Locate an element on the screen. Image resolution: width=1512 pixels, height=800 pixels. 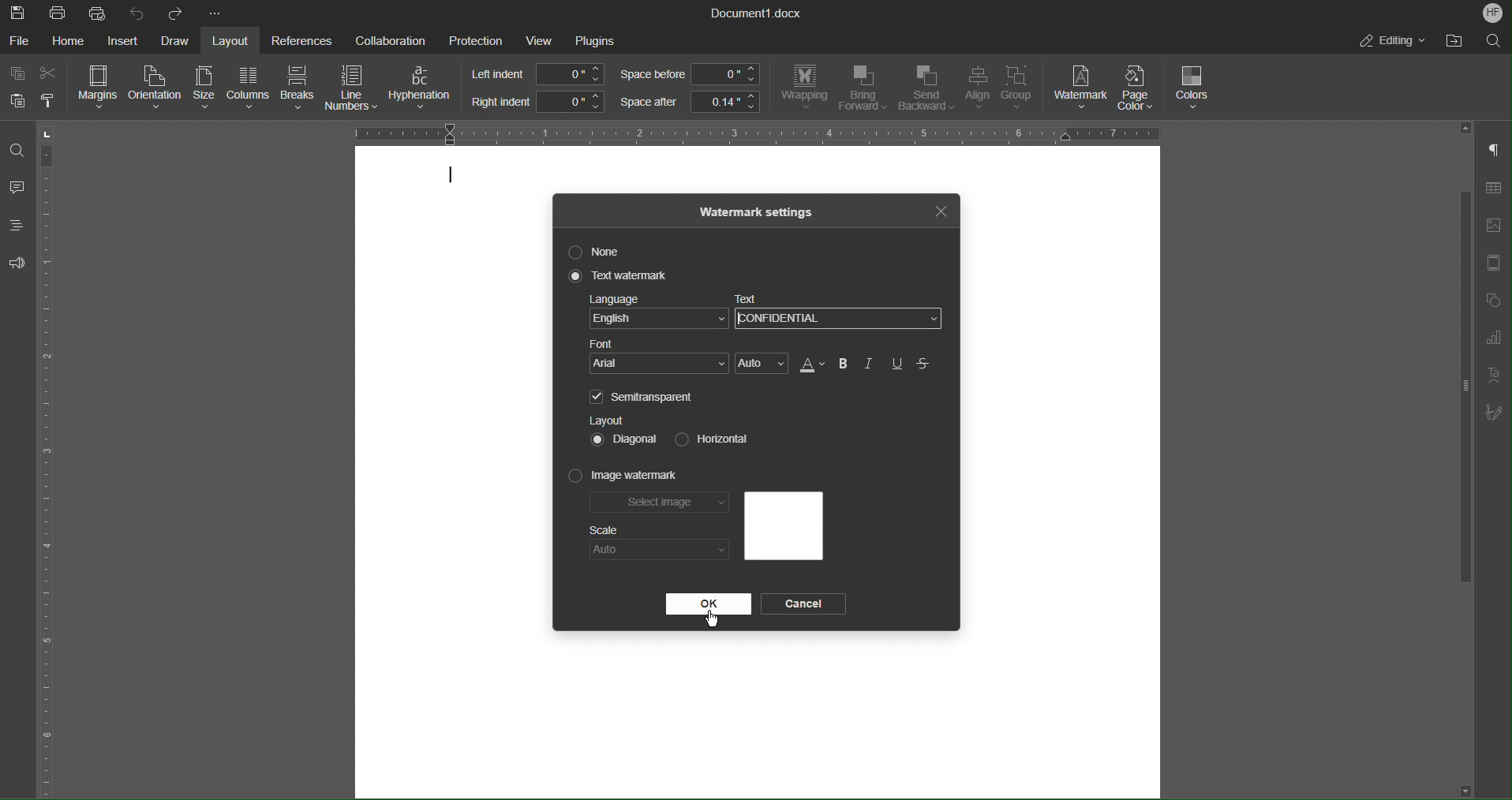
Graph Settings is located at coordinates (1493, 341).